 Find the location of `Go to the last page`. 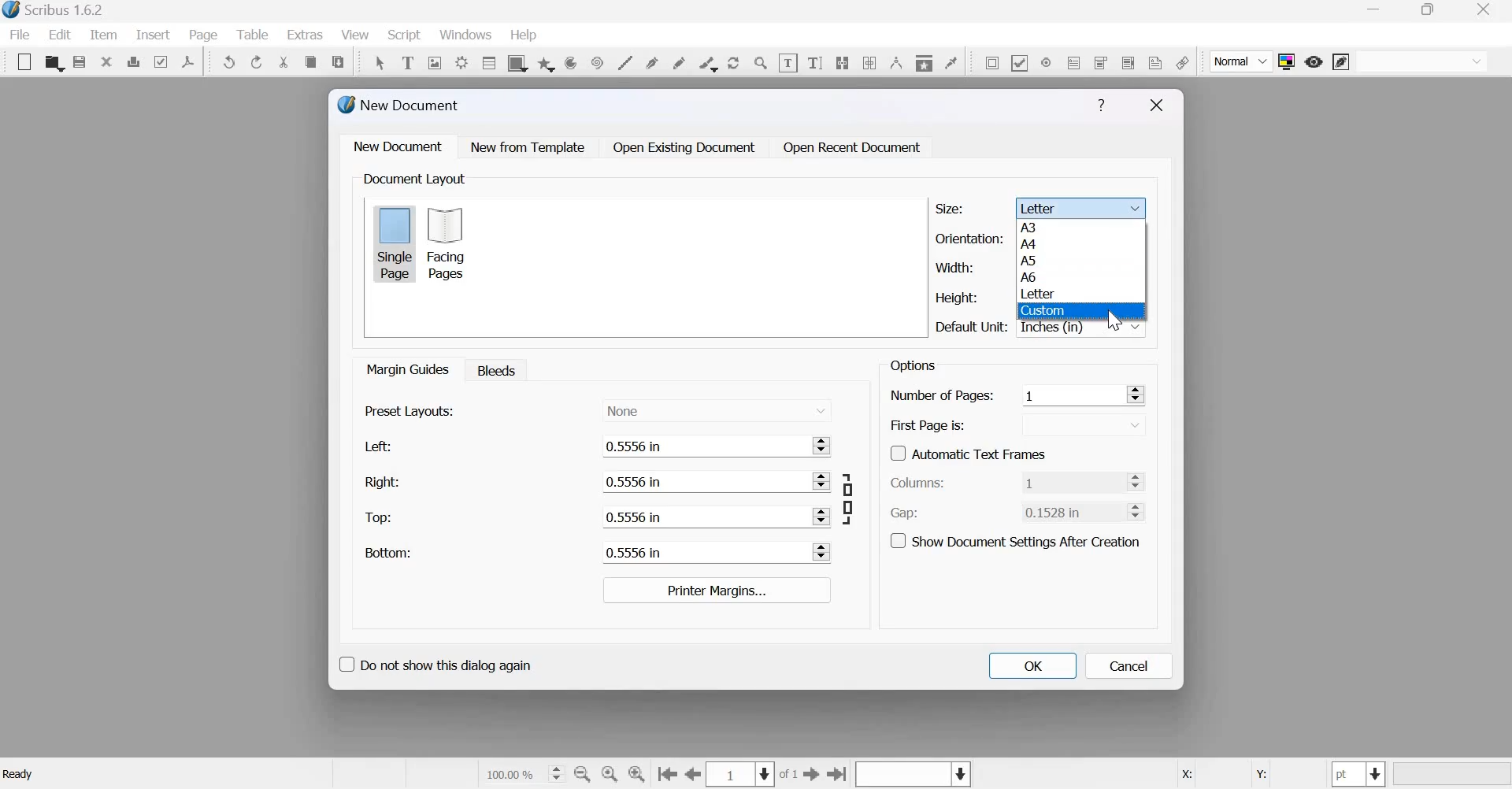

Go to the last page is located at coordinates (838, 773).